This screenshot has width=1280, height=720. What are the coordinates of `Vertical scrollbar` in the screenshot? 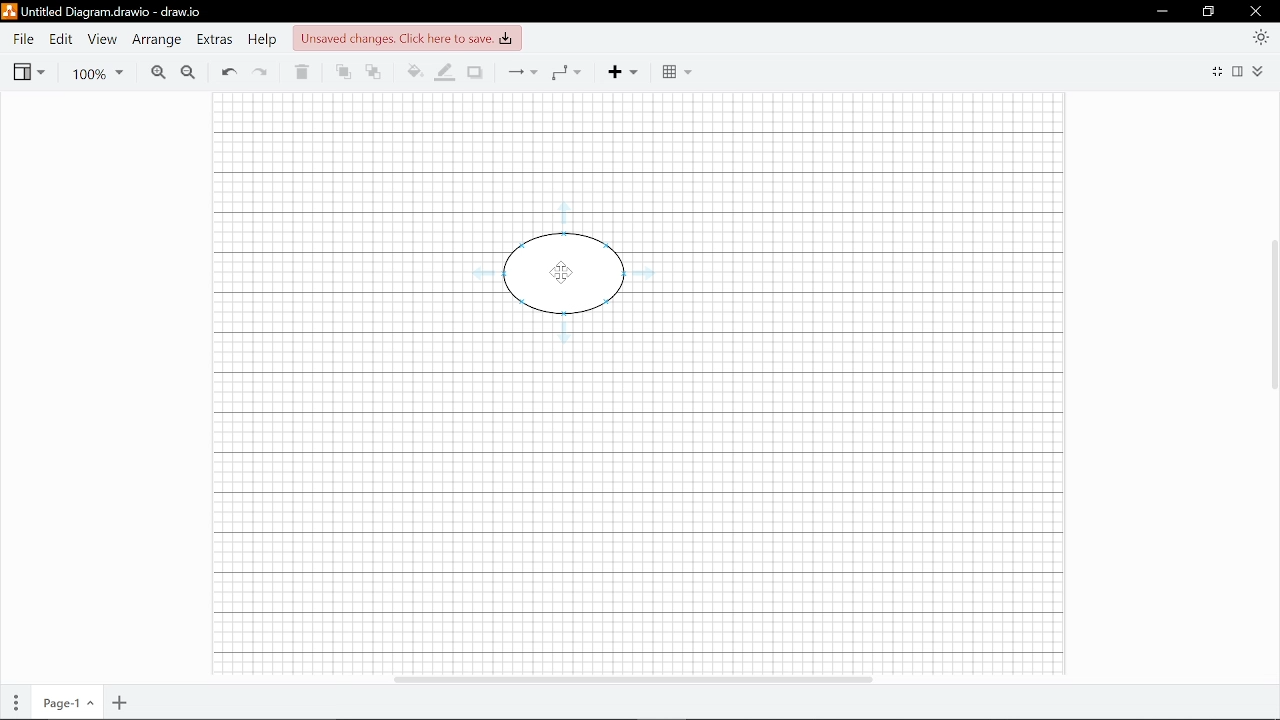 It's located at (1272, 314).